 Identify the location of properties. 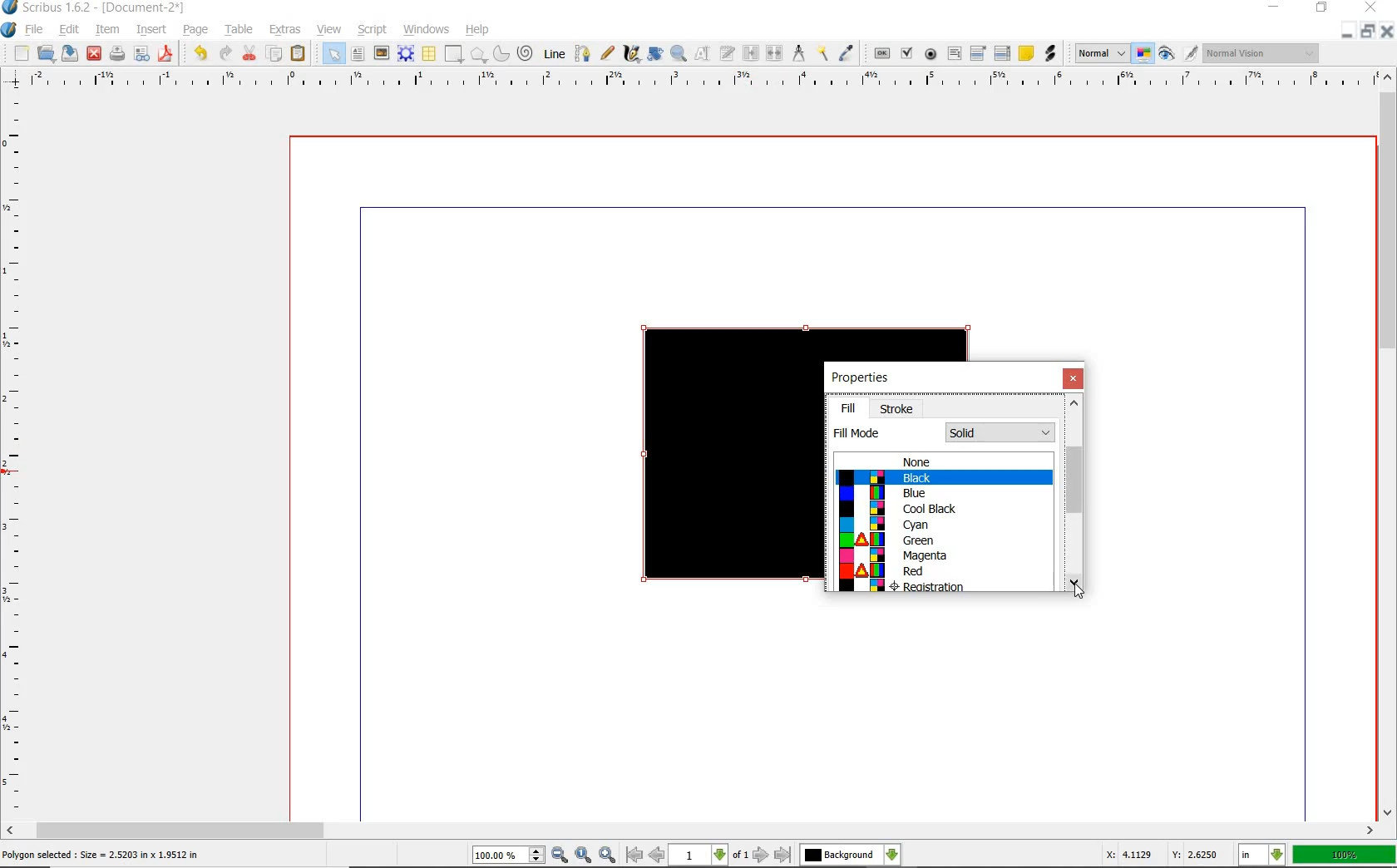
(859, 377).